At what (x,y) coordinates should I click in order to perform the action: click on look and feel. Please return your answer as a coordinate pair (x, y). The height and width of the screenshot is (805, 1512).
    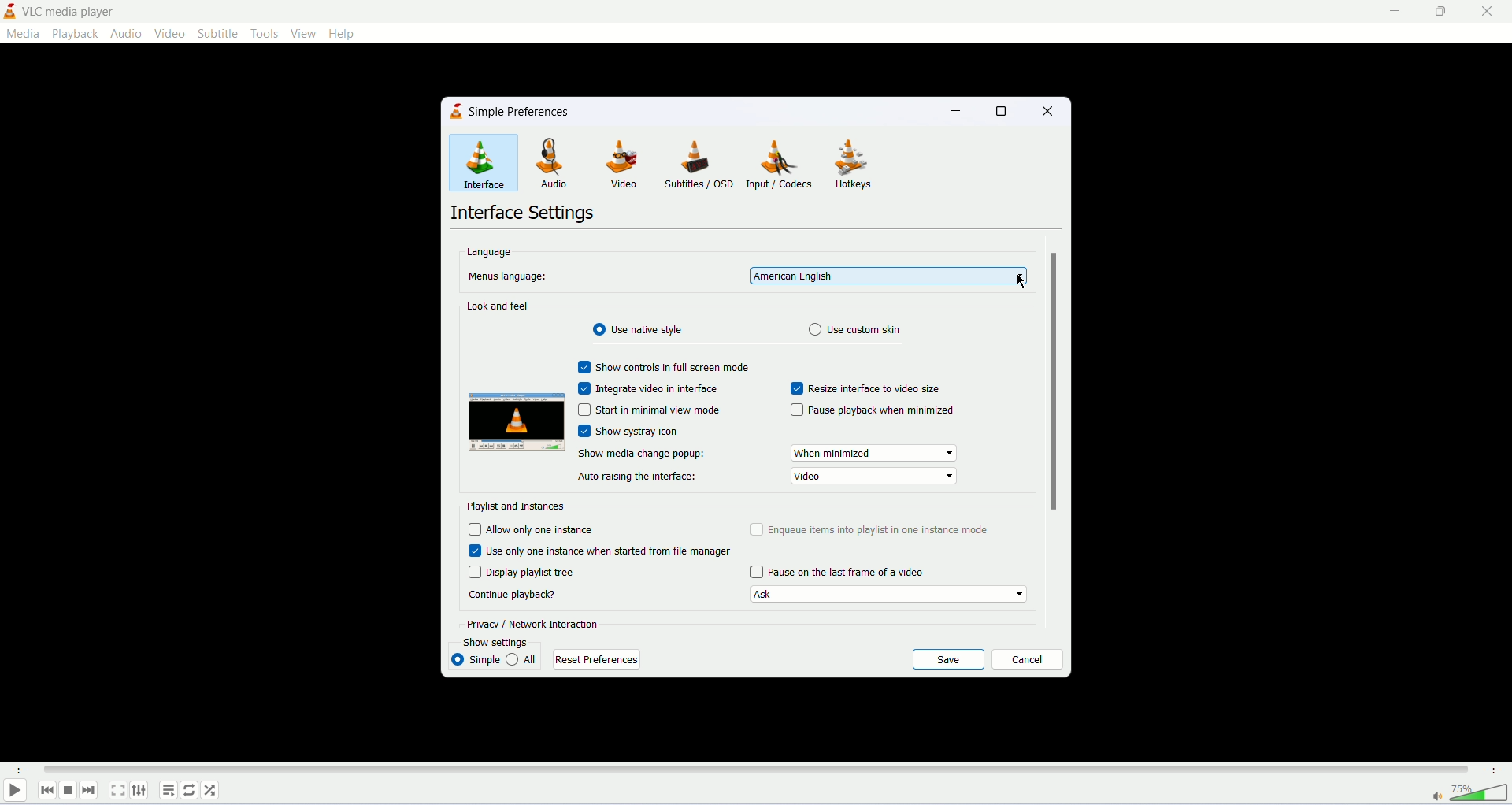
    Looking at the image, I should click on (498, 306).